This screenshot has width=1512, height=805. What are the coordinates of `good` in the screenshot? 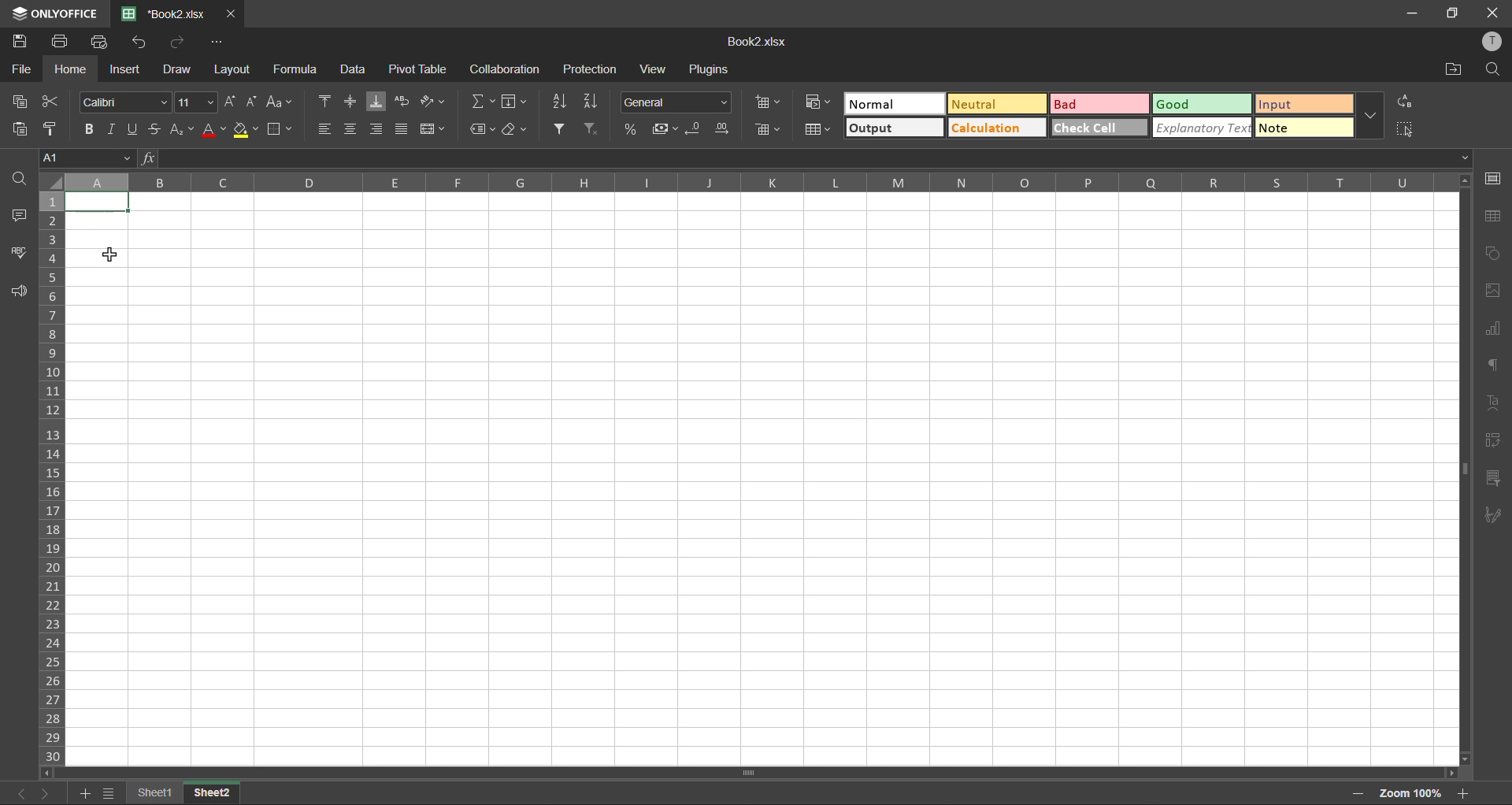 It's located at (1203, 105).